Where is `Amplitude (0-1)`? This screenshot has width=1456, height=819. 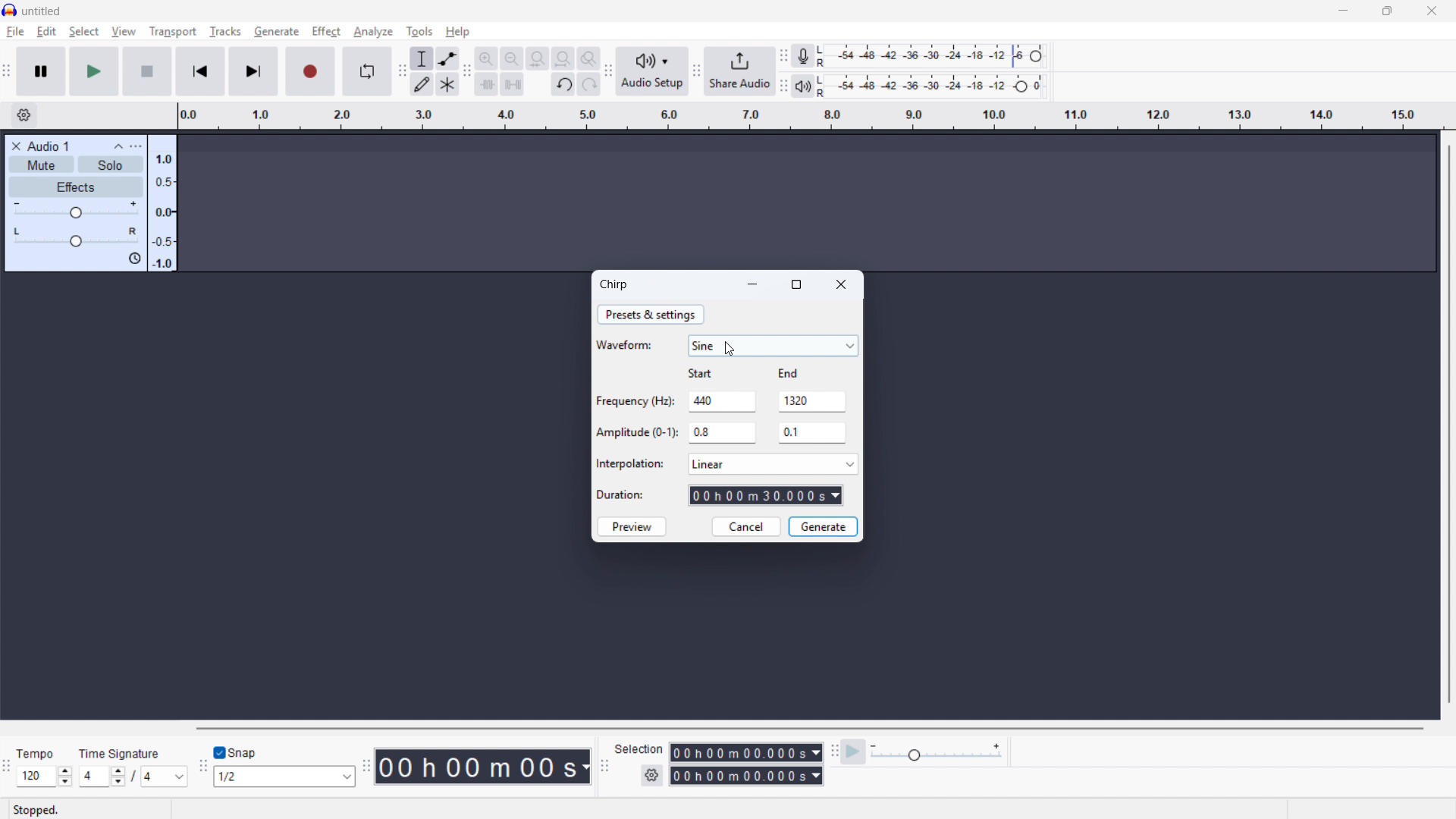
Amplitude (0-1) is located at coordinates (637, 433).